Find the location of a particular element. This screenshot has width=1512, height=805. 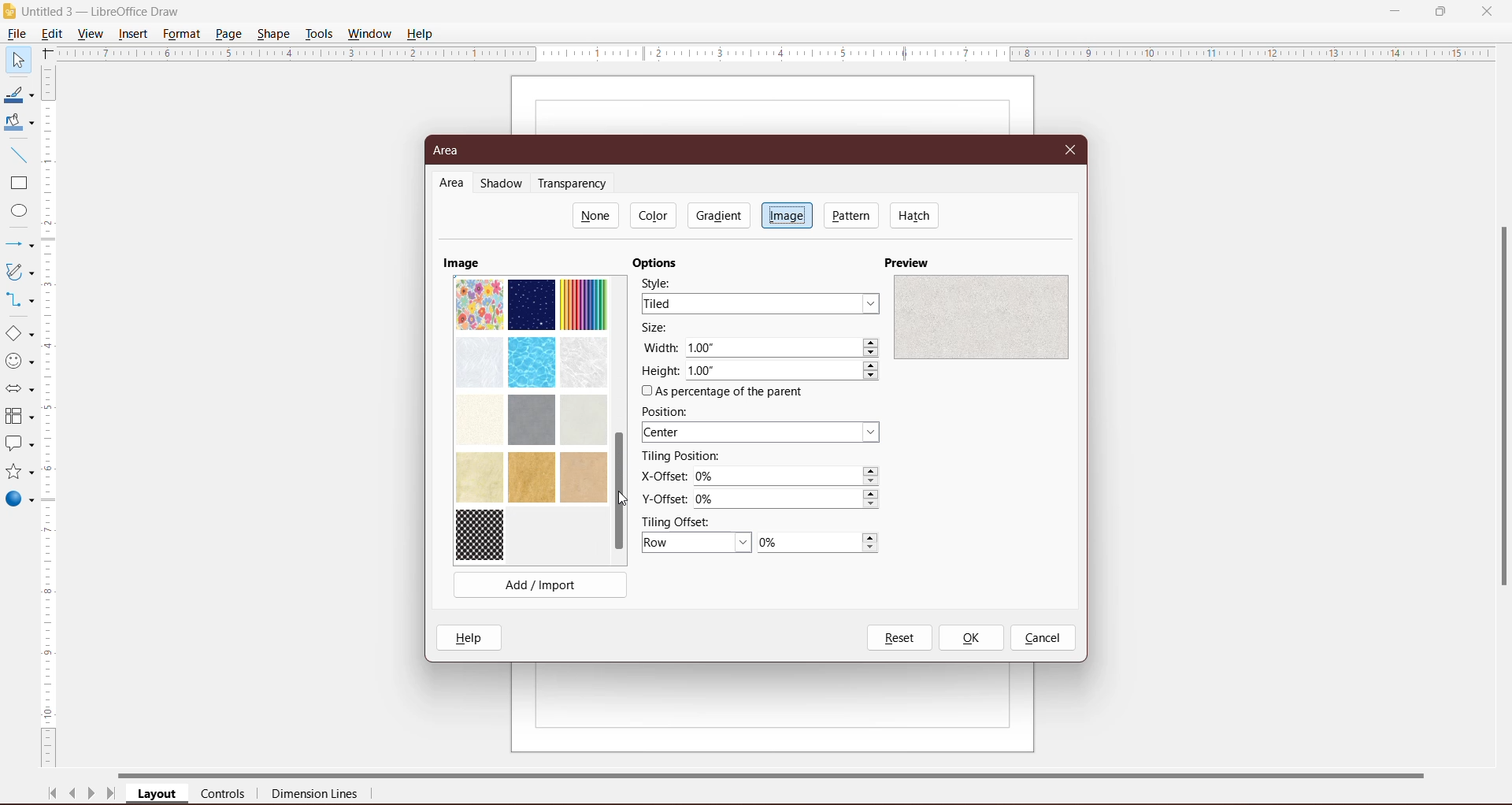

Cursor is located at coordinates (628, 500).